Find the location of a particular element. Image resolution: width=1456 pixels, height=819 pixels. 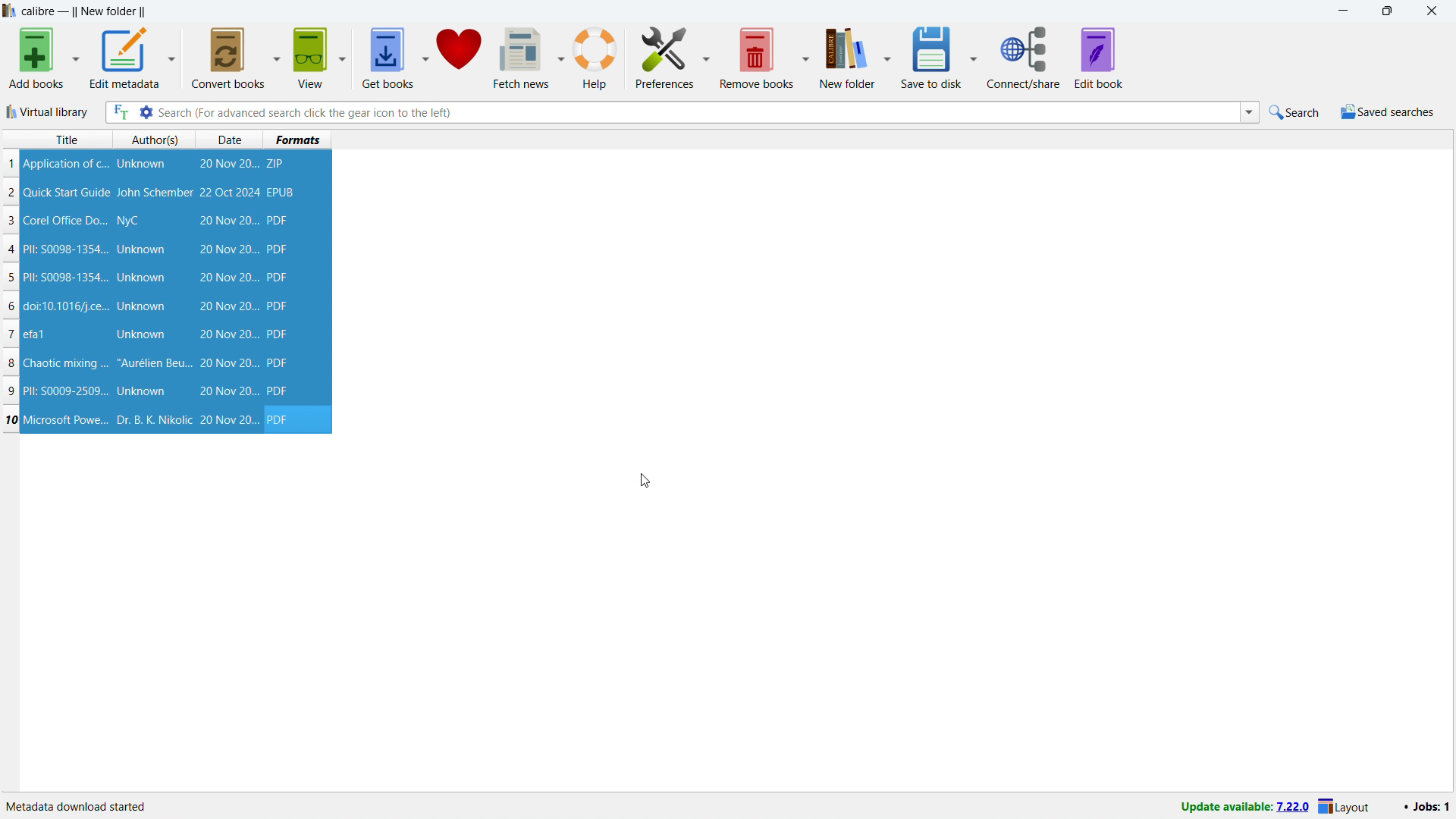

search all text is located at coordinates (121, 112).